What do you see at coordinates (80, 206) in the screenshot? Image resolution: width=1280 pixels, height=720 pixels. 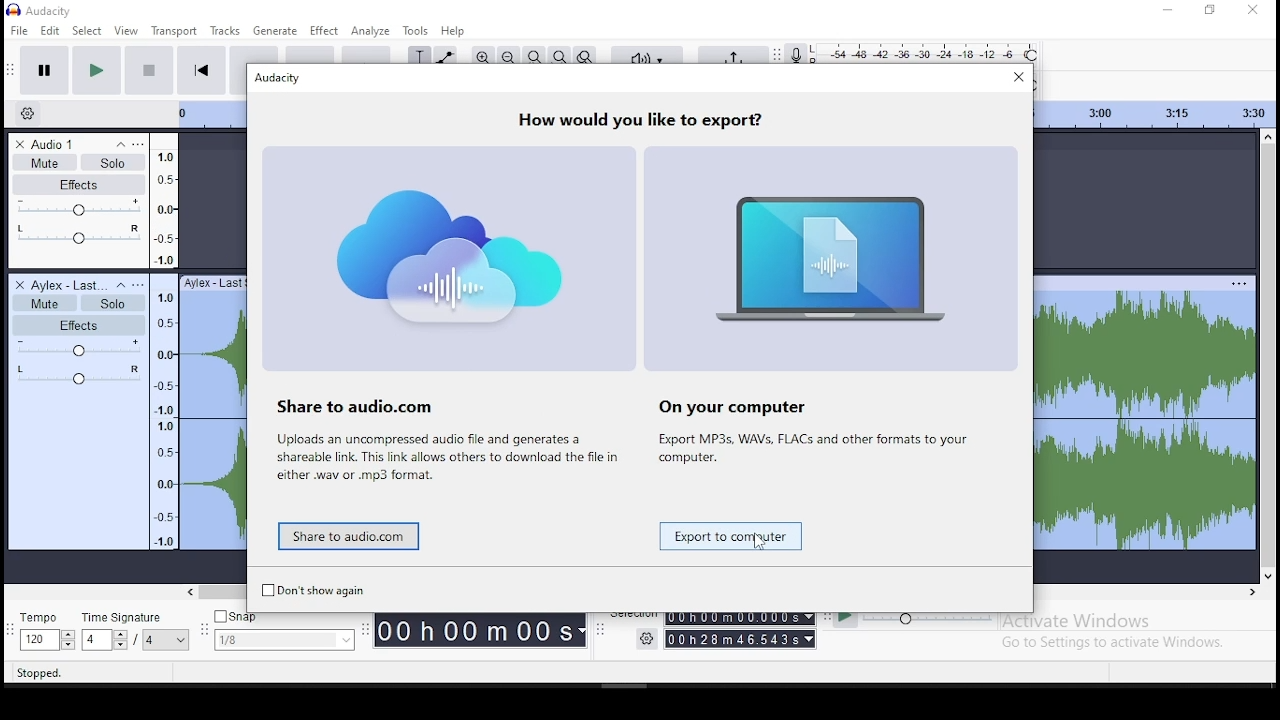 I see `volume` at bounding box center [80, 206].